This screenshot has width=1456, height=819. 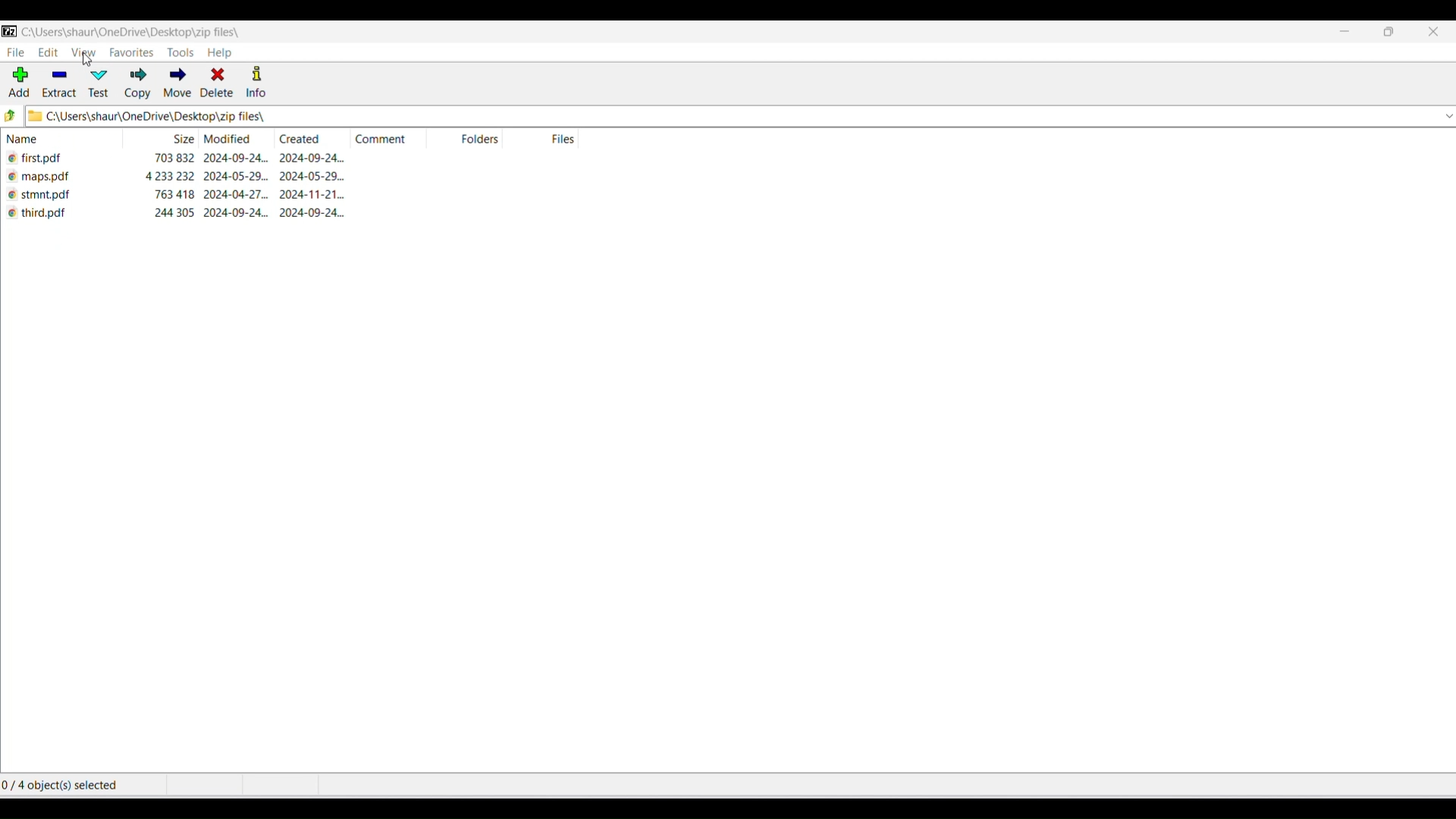 What do you see at coordinates (228, 54) in the screenshot?
I see `help` at bounding box center [228, 54].